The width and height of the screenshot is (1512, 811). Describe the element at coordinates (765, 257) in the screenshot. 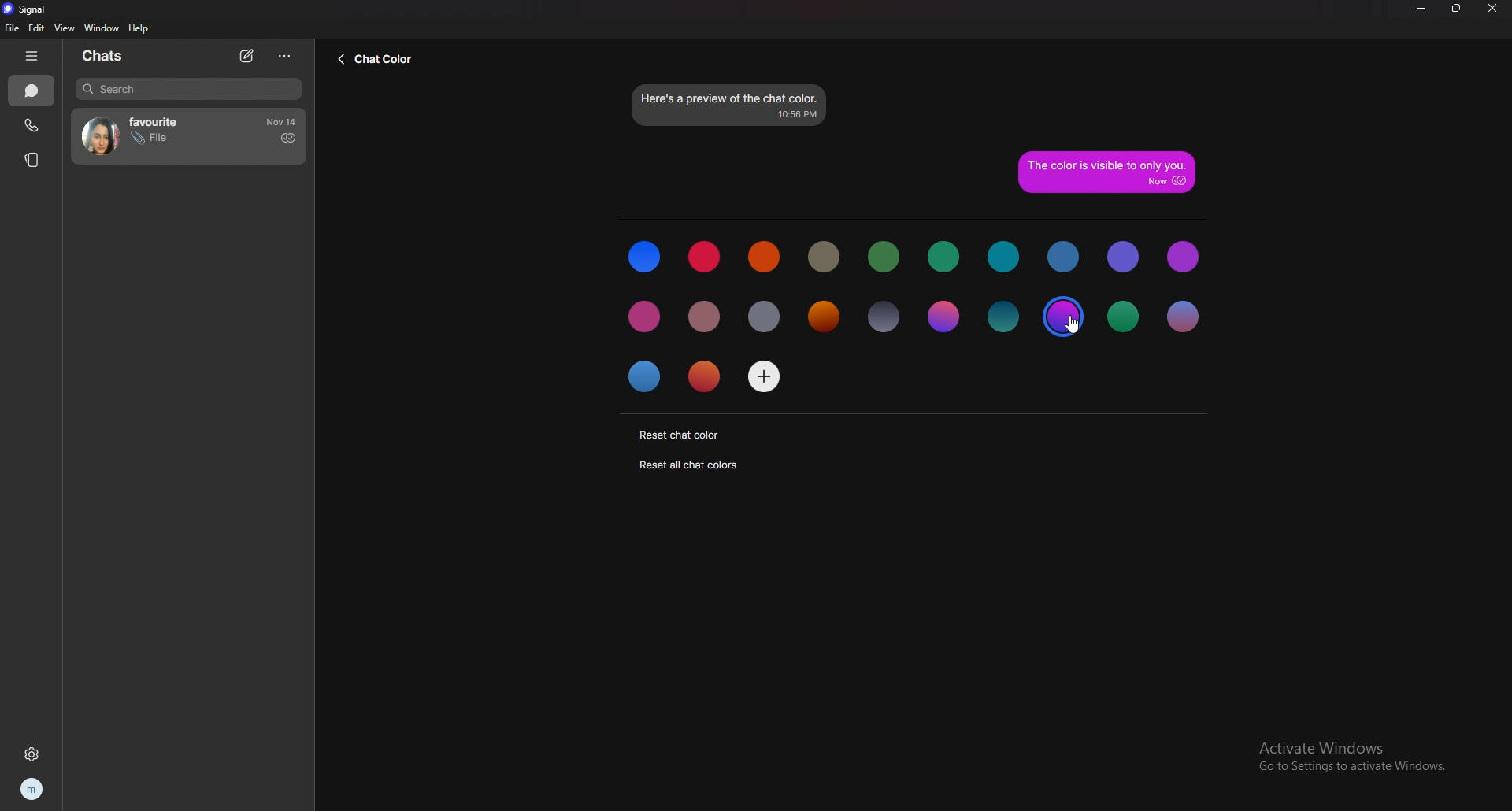

I see `color` at that location.